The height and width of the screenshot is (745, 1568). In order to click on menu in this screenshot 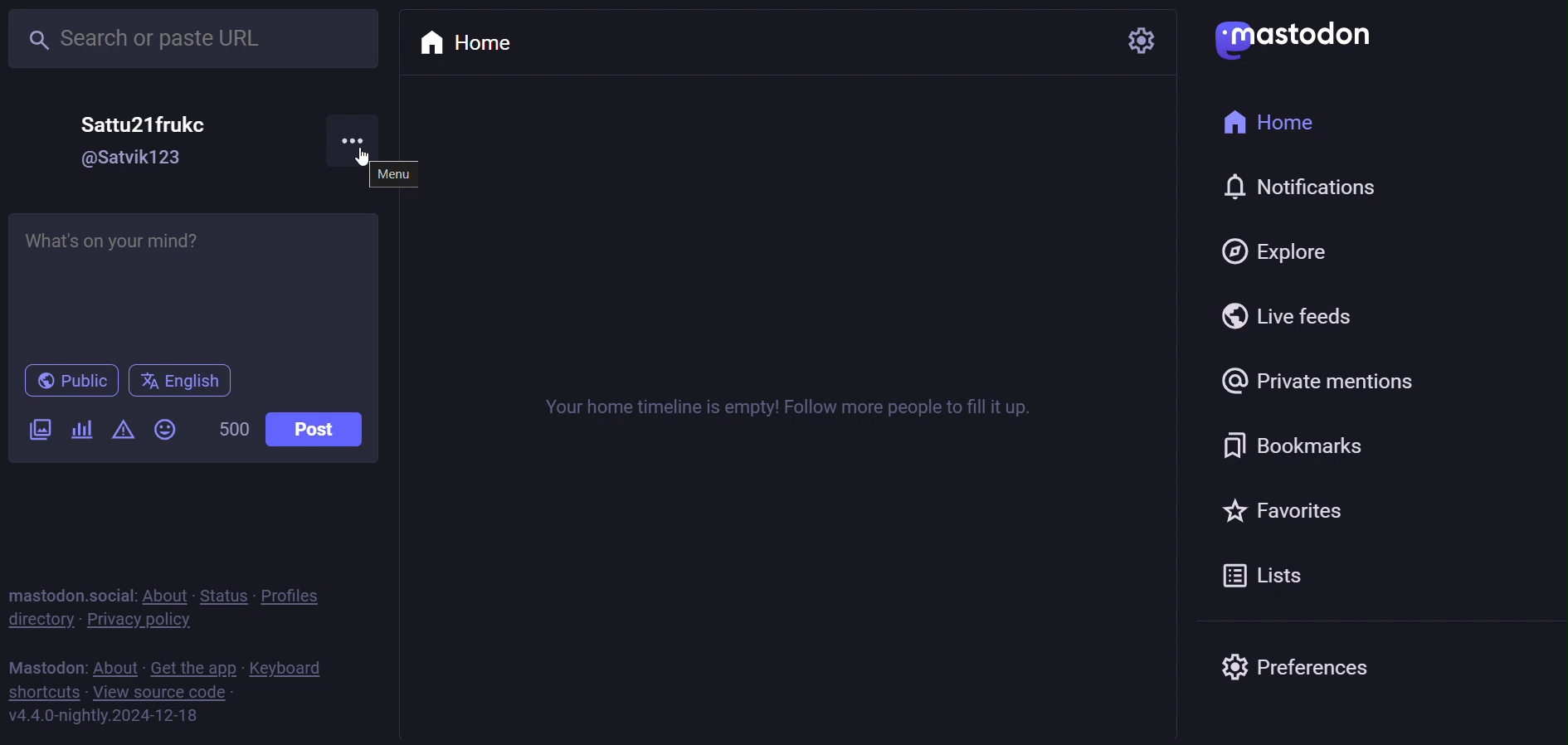, I will do `click(402, 175)`.